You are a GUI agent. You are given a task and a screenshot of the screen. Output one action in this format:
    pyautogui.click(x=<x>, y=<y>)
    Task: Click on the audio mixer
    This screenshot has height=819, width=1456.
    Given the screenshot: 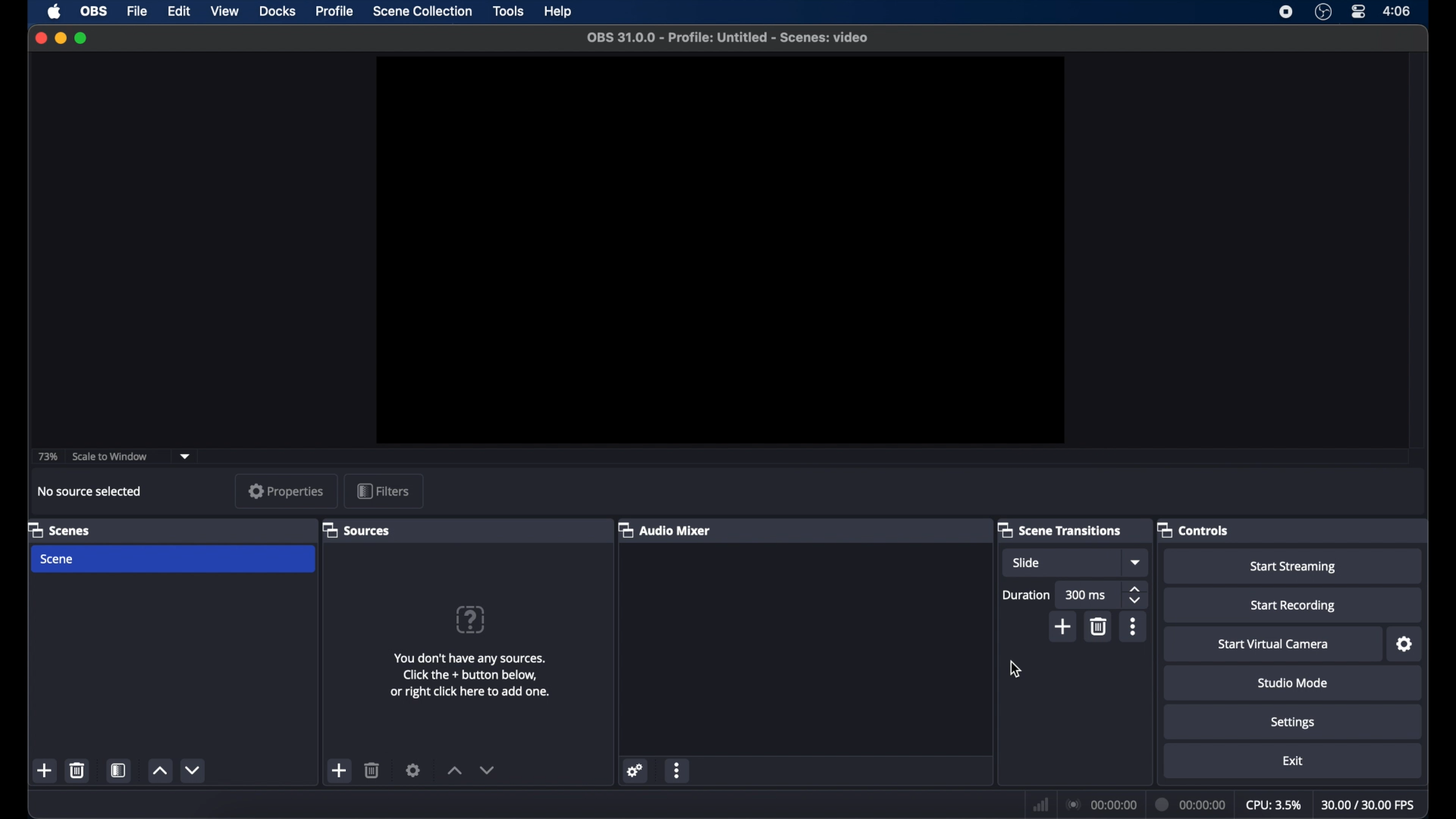 What is the action you would take?
    pyautogui.click(x=668, y=531)
    